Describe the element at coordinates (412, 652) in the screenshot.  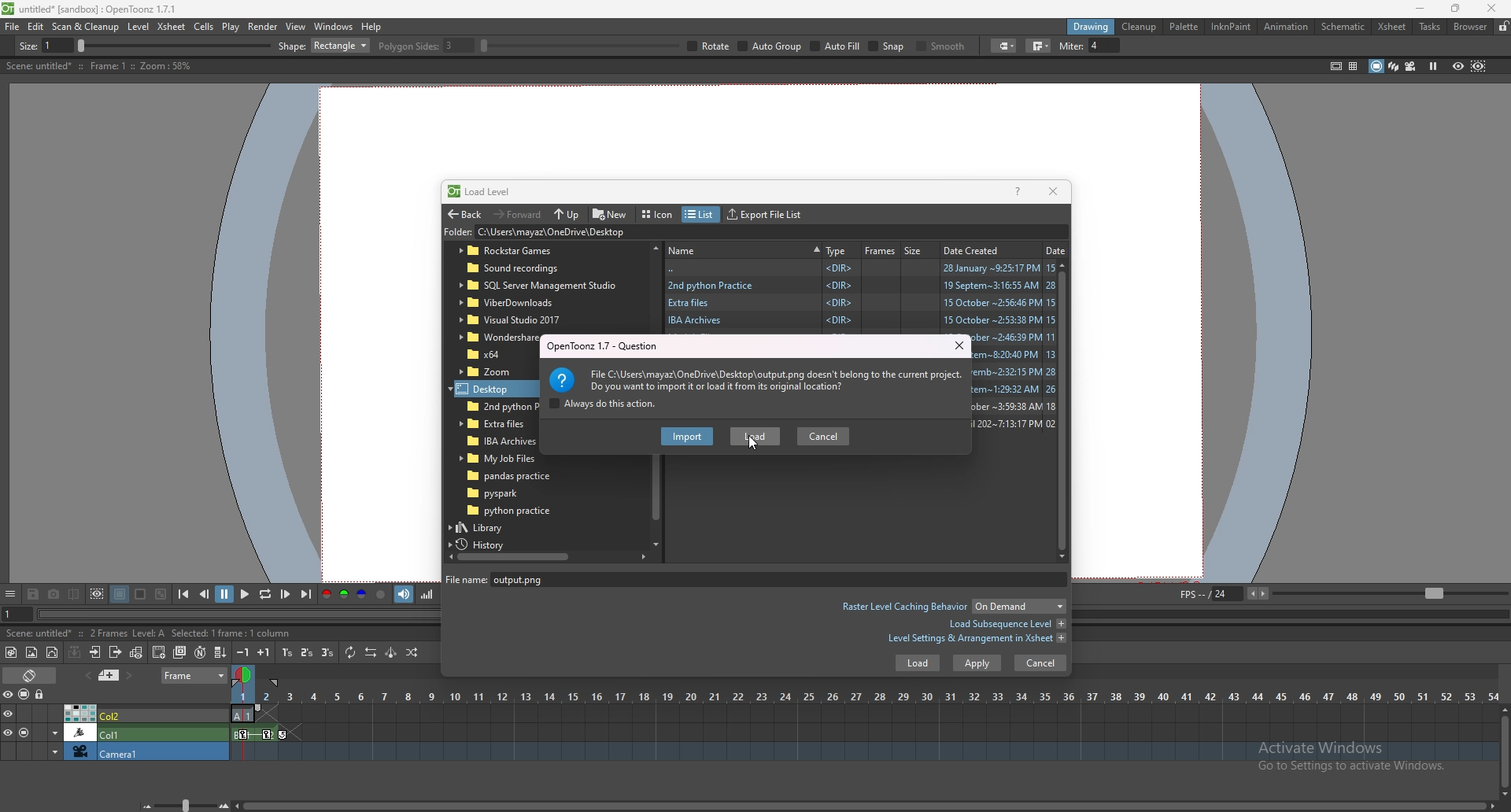
I see `random` at that location.